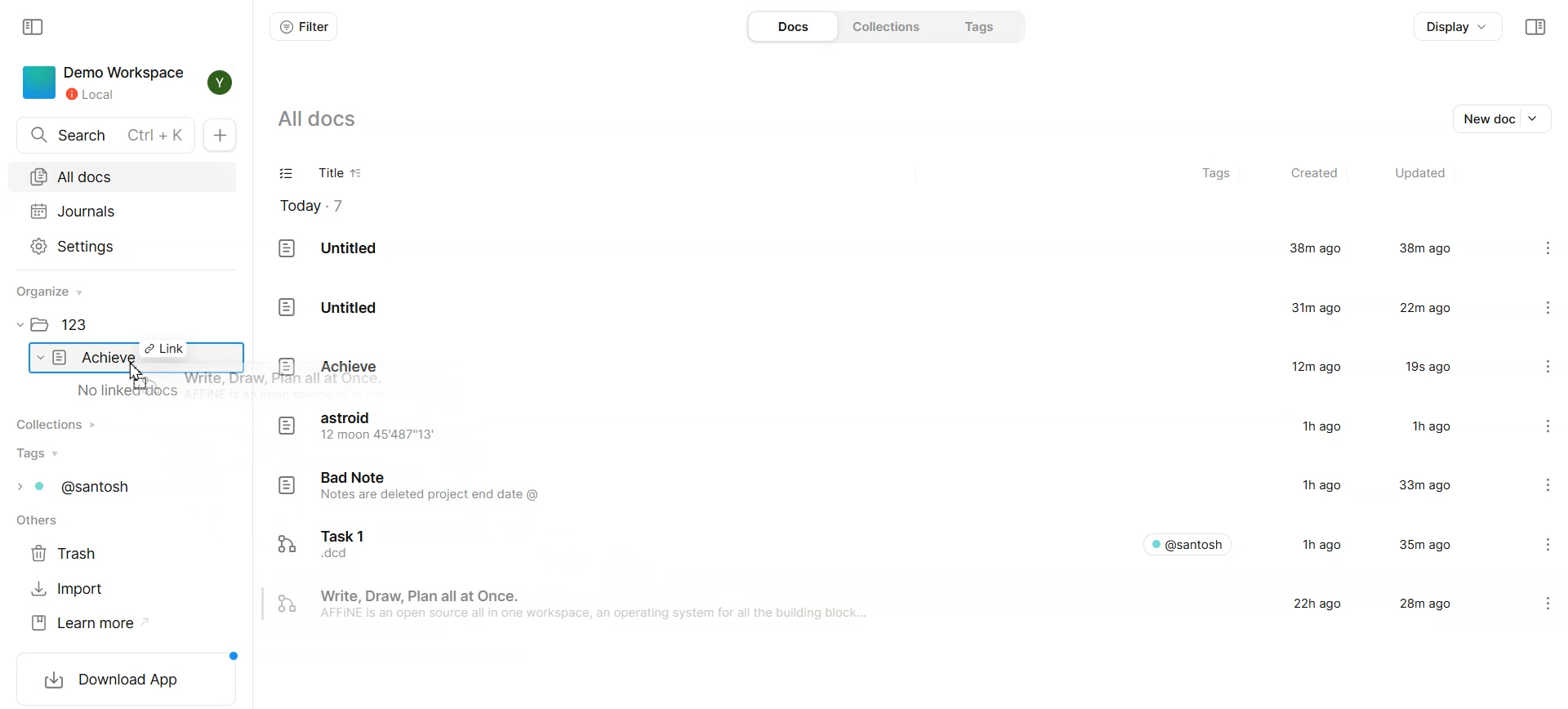  What do you see at coordinates (1419, 174) in the screenshot?
I see `Updated` at bounding box center [1419, 174].